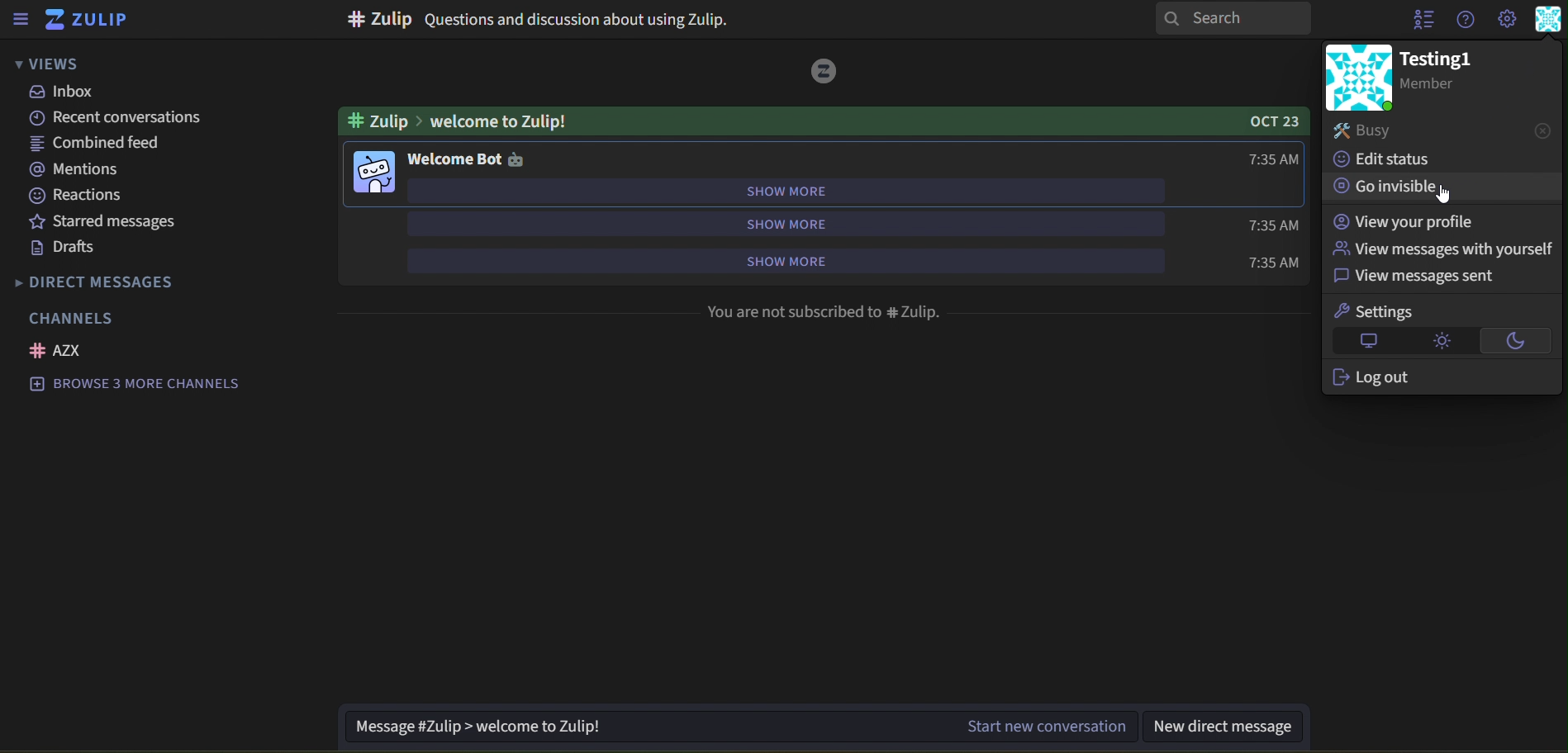 Image resolution: width=1568 pixels, height=753 pixels. I want to click on new direct message, so click(1233, 726).